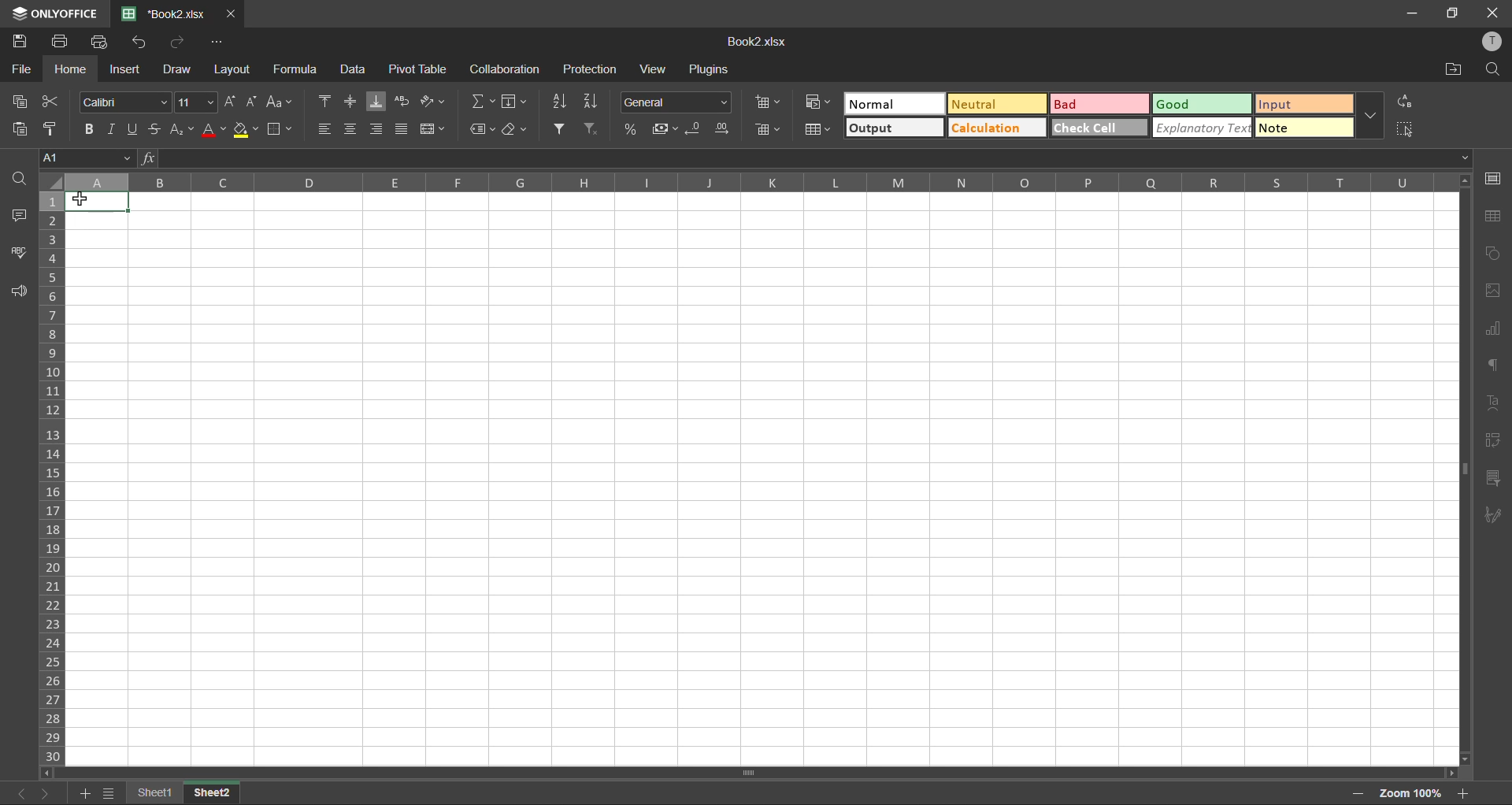 This screenshot has height=805, width=1512. Describe the element at coordinates (1495, 217) in the screenshot. I see `table` at that location.